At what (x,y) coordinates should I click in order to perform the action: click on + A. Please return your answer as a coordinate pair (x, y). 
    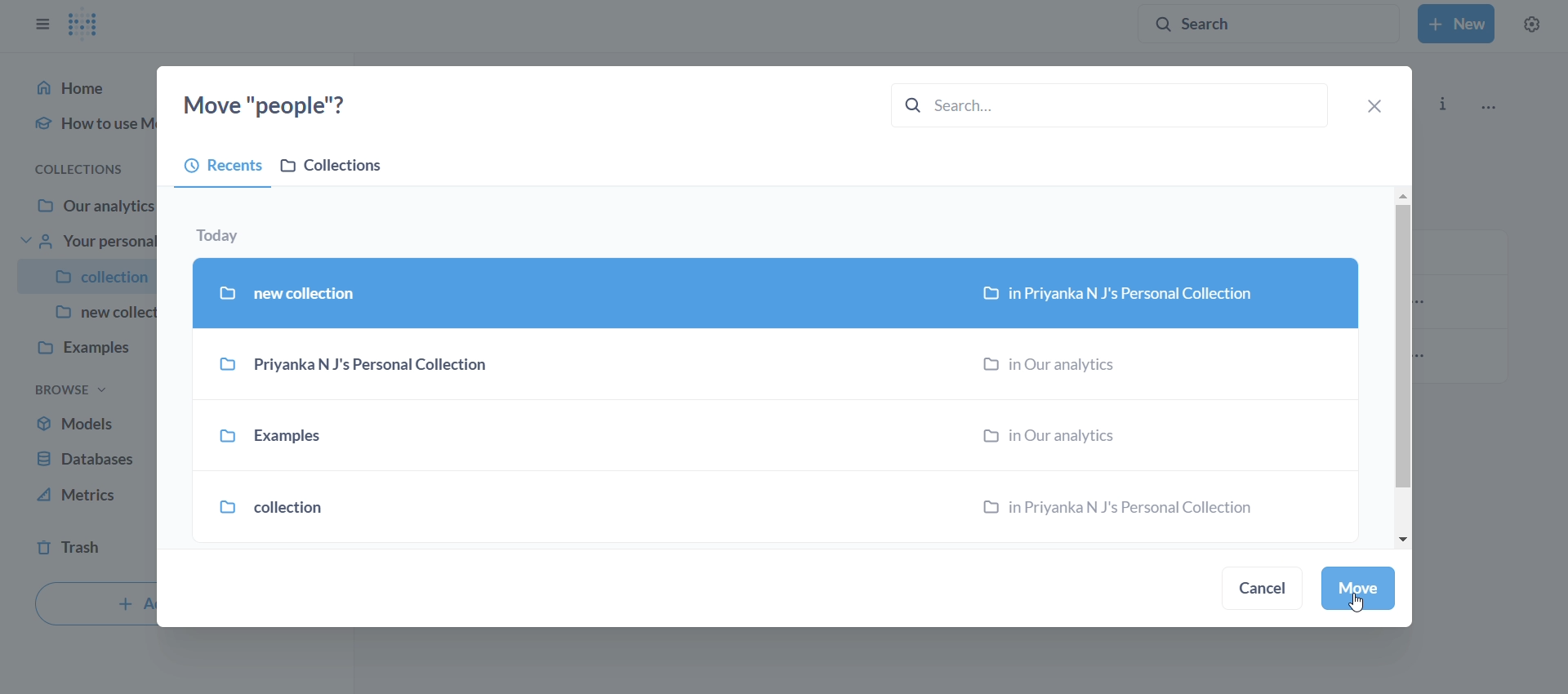
    Looking at the image, I should click on (102, 603).